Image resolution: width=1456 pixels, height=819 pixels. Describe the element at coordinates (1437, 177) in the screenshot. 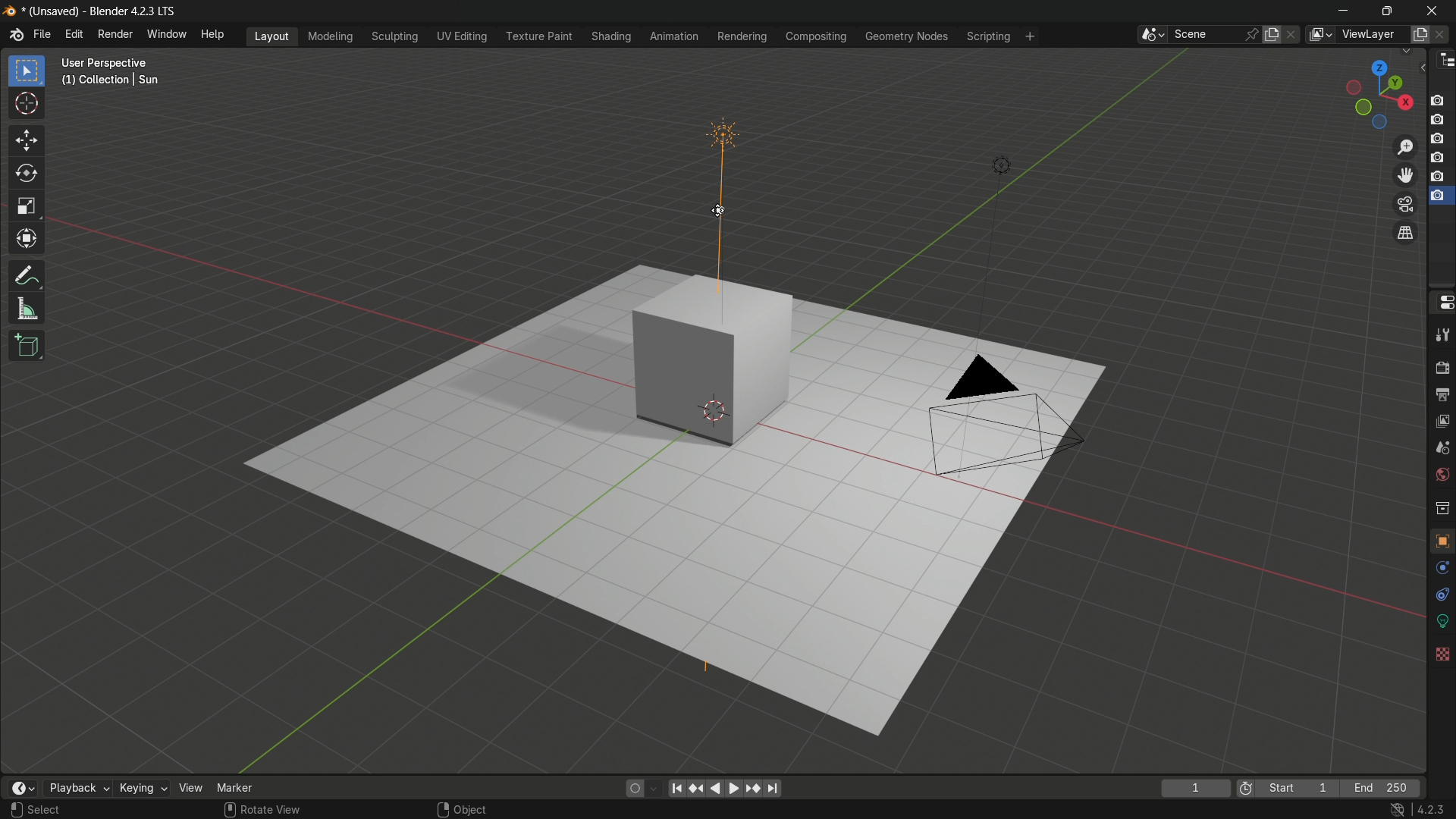

I see `layer 5` at that location.